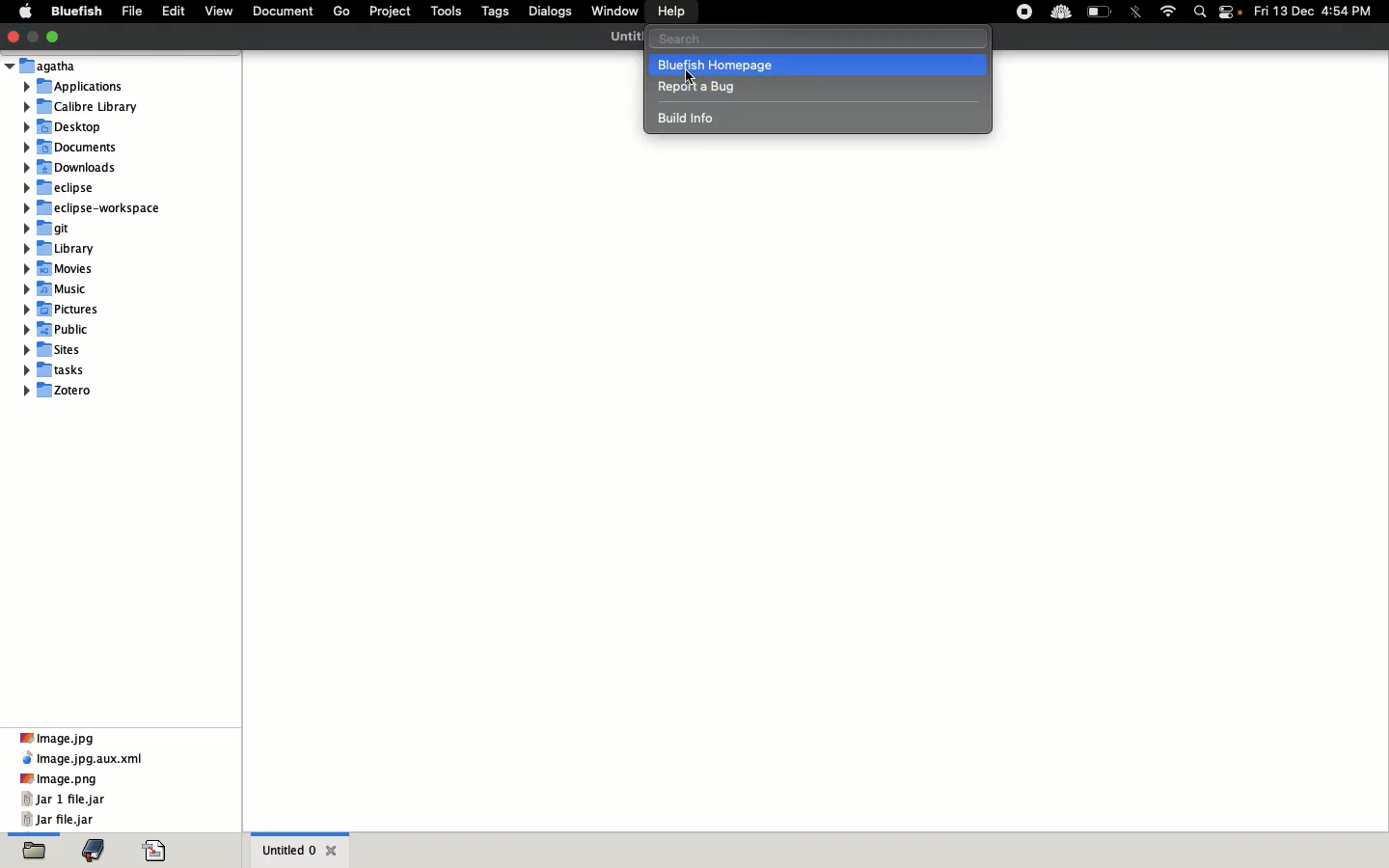 The width and height of the screenshot is (1389, 868). I want to click on Project, so click(390, 11).